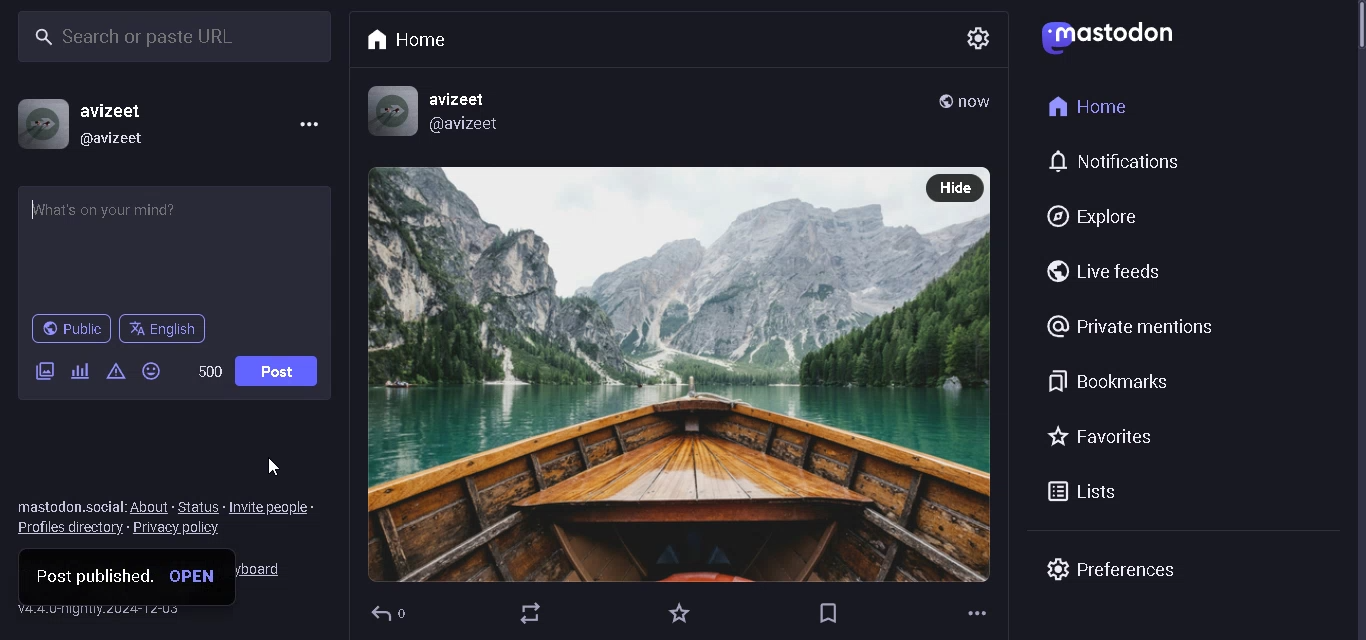  What do you see at coordinates (1131, 327) in the screenshot?
I see `private mentions` at bounding box center [1131, 327].